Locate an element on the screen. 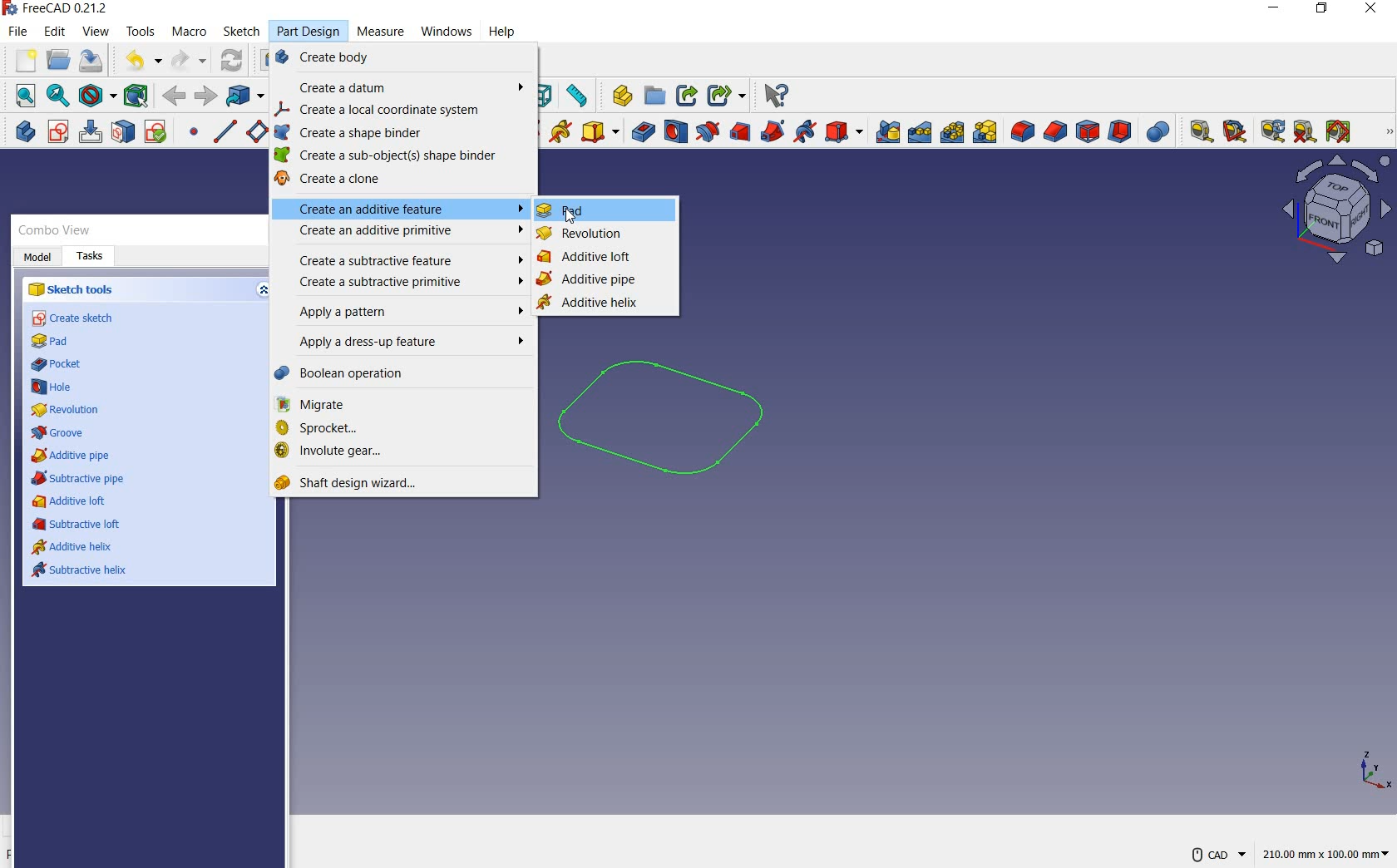 The height and width of the screenshot is (868, 1397). bounding box is located at coordinates (136, 94).